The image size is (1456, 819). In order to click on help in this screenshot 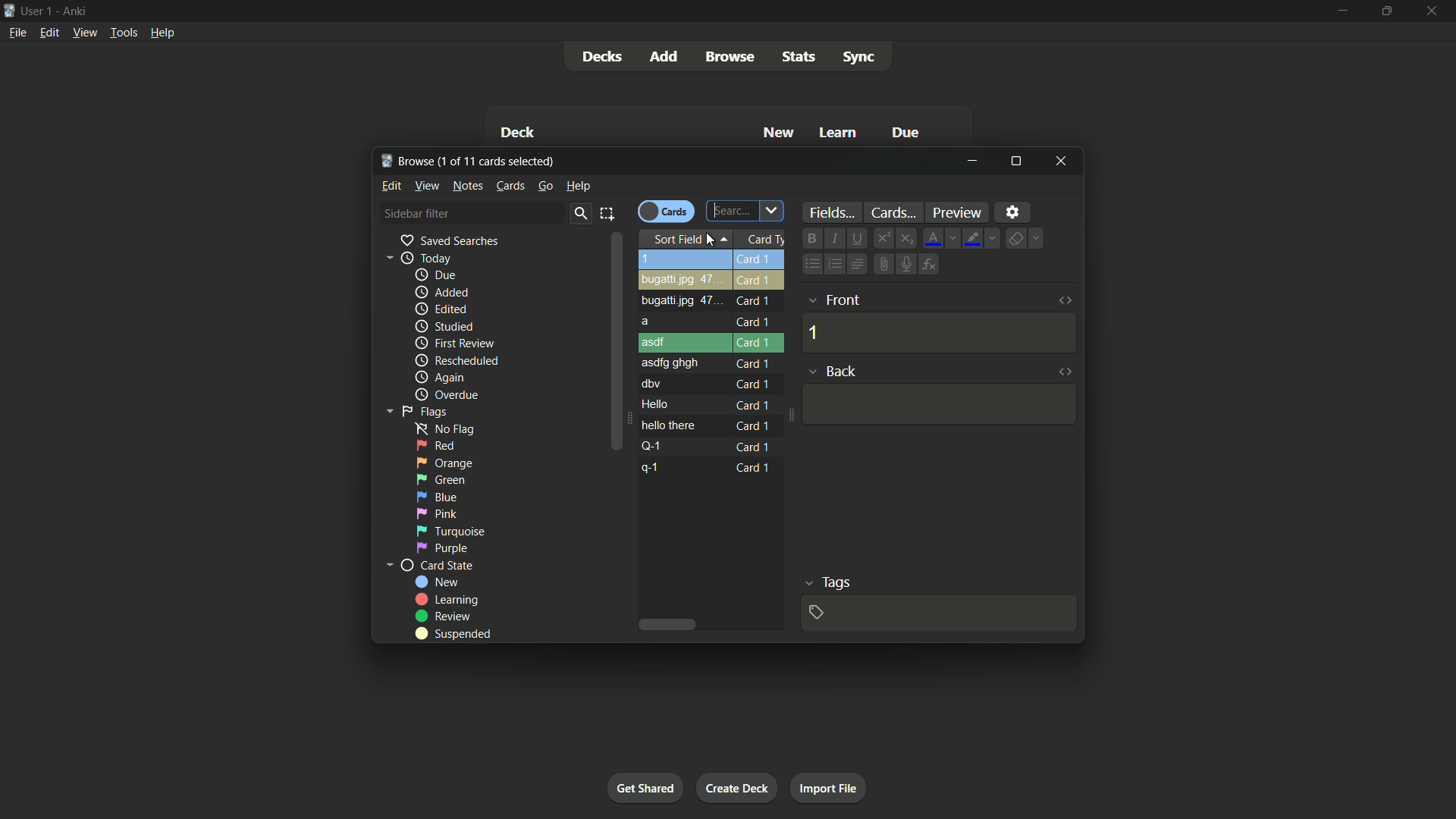, I will do `click(576, 187)`.